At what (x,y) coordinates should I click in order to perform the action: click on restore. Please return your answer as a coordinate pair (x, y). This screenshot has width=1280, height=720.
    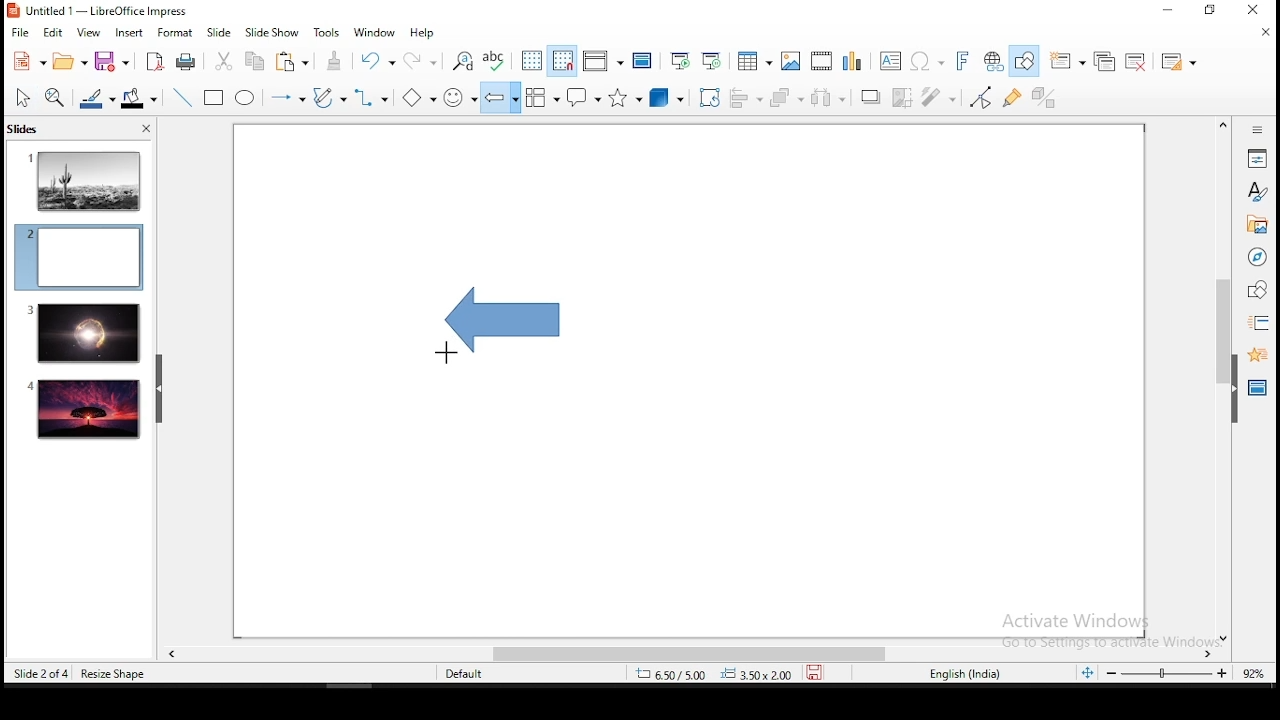
    Looking at the image, I should click on (1211, 11).